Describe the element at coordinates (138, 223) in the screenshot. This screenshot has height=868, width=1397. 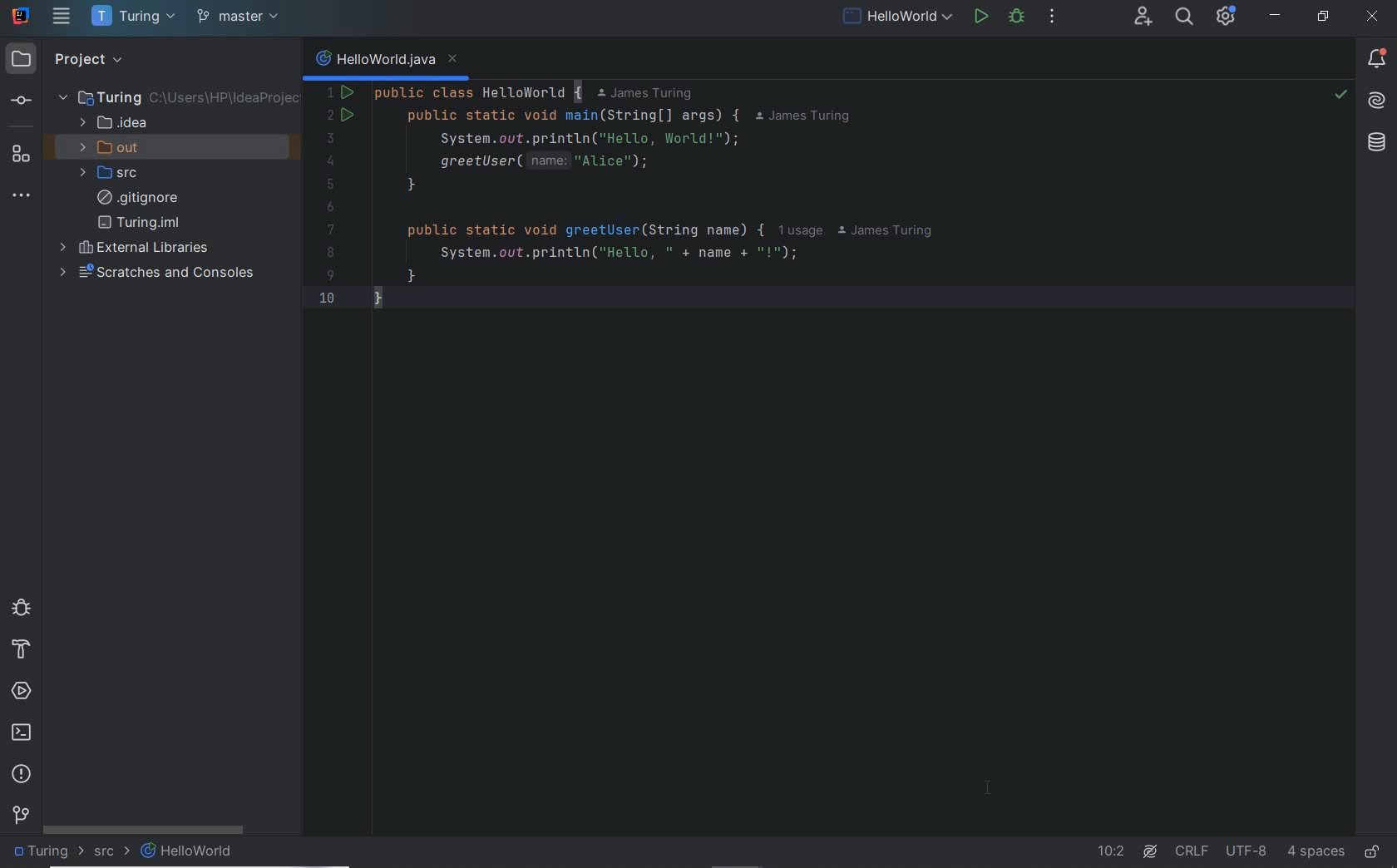
I see `turing.iml` at that location.